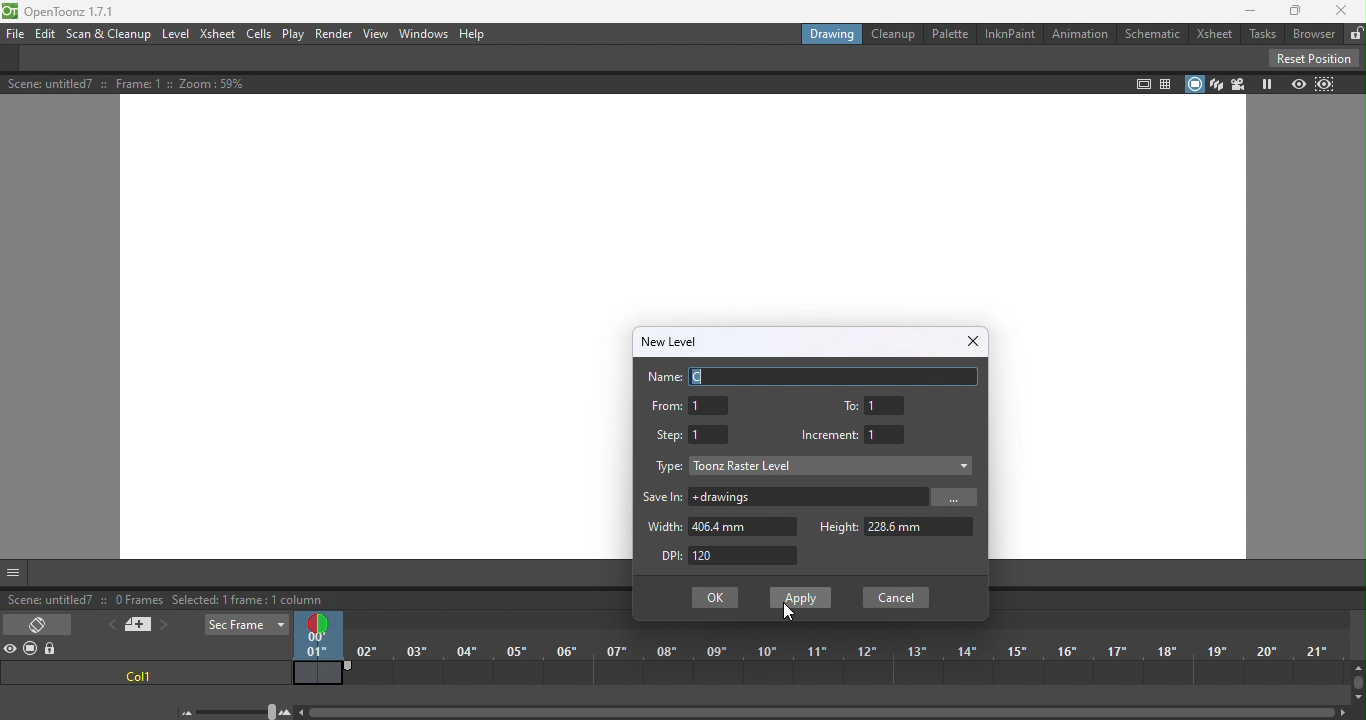 The image size is (1366, 720). Describe the element at coordinates (315, 622) in the screenshot. I see `Double click to toggle onion skin` at that location.